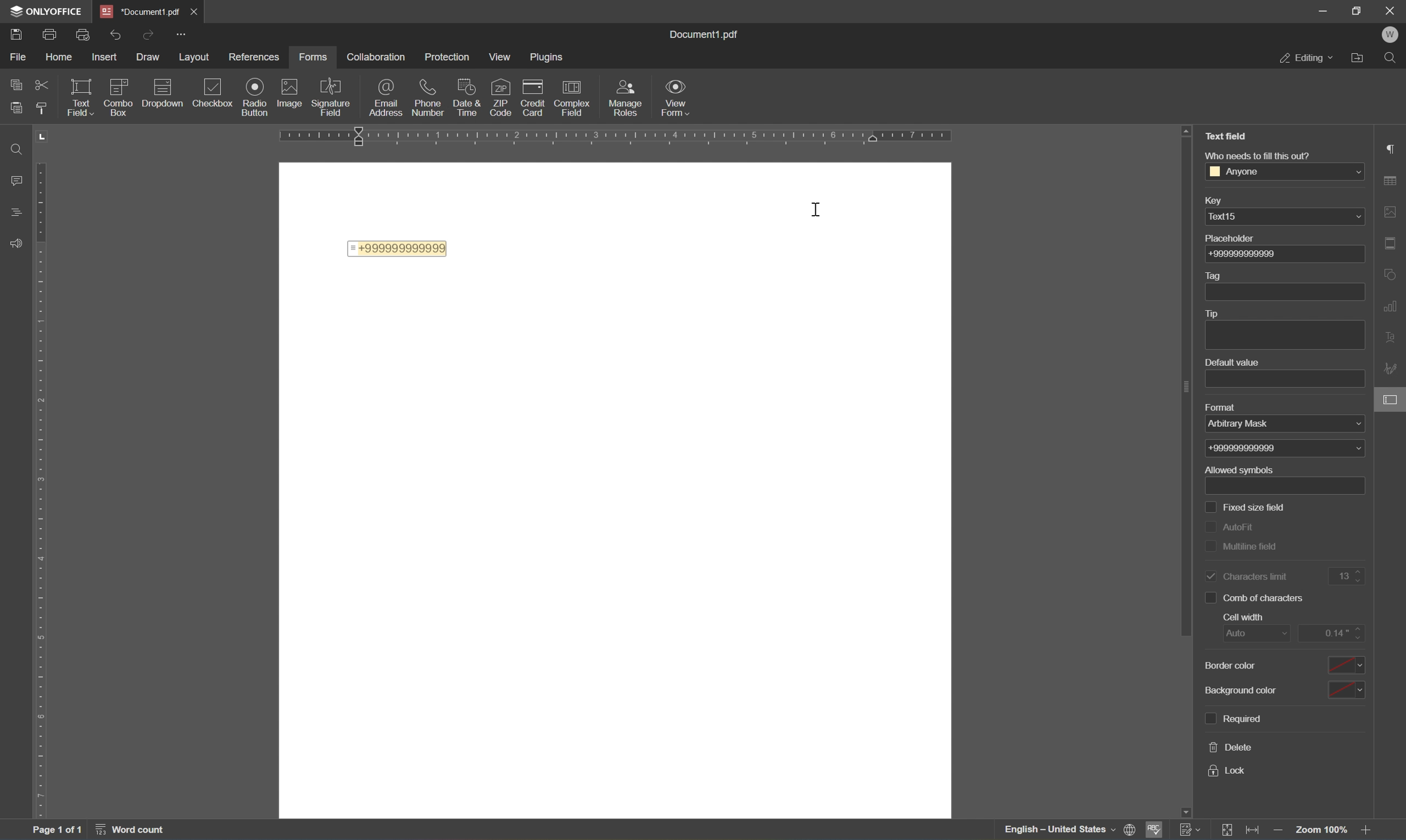  I want to click on characters limit, so click(1245, 575).